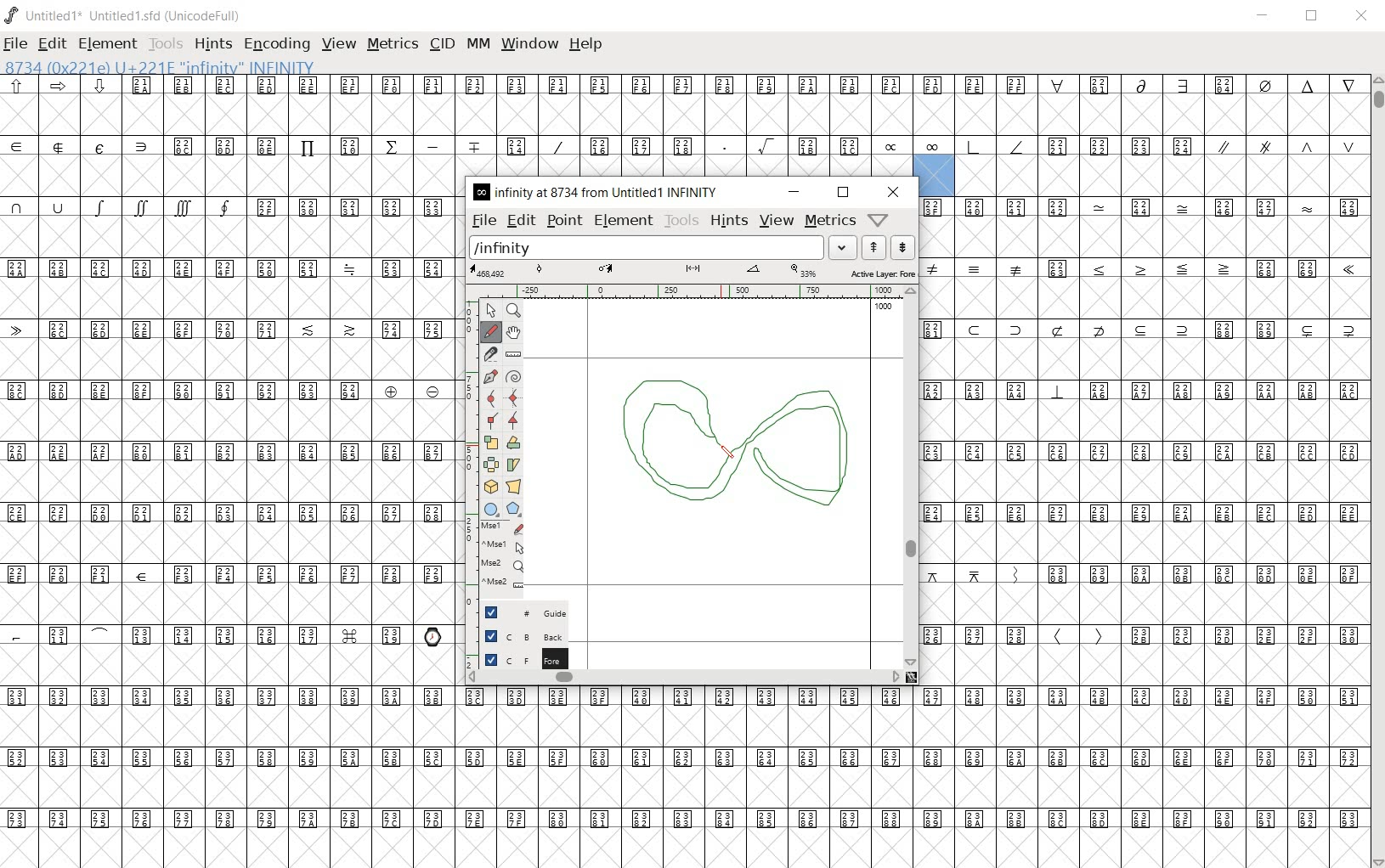 The image size is (1385, 868). I want to click on tools, so click(681, 221).